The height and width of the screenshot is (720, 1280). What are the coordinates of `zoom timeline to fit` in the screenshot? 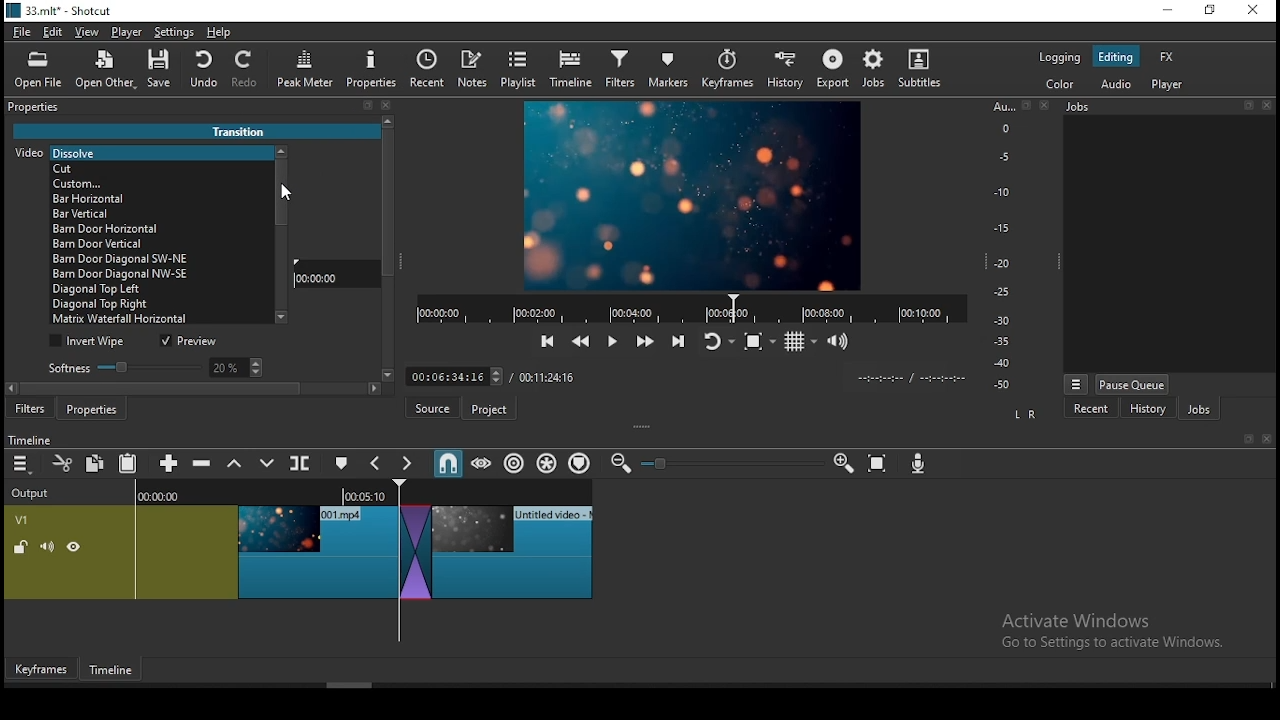 It's located at (879, 466).